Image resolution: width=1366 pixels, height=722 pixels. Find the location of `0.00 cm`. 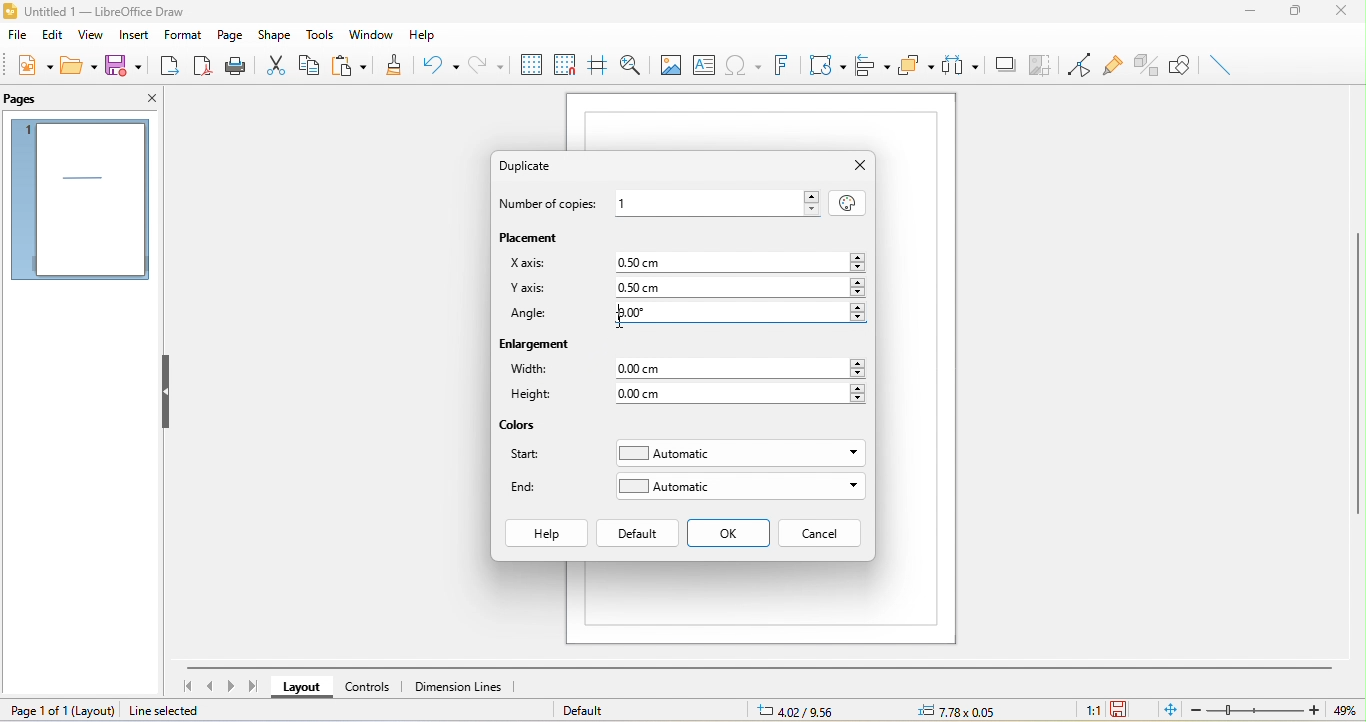

0.00 cm is located at coordinates (742, 393).